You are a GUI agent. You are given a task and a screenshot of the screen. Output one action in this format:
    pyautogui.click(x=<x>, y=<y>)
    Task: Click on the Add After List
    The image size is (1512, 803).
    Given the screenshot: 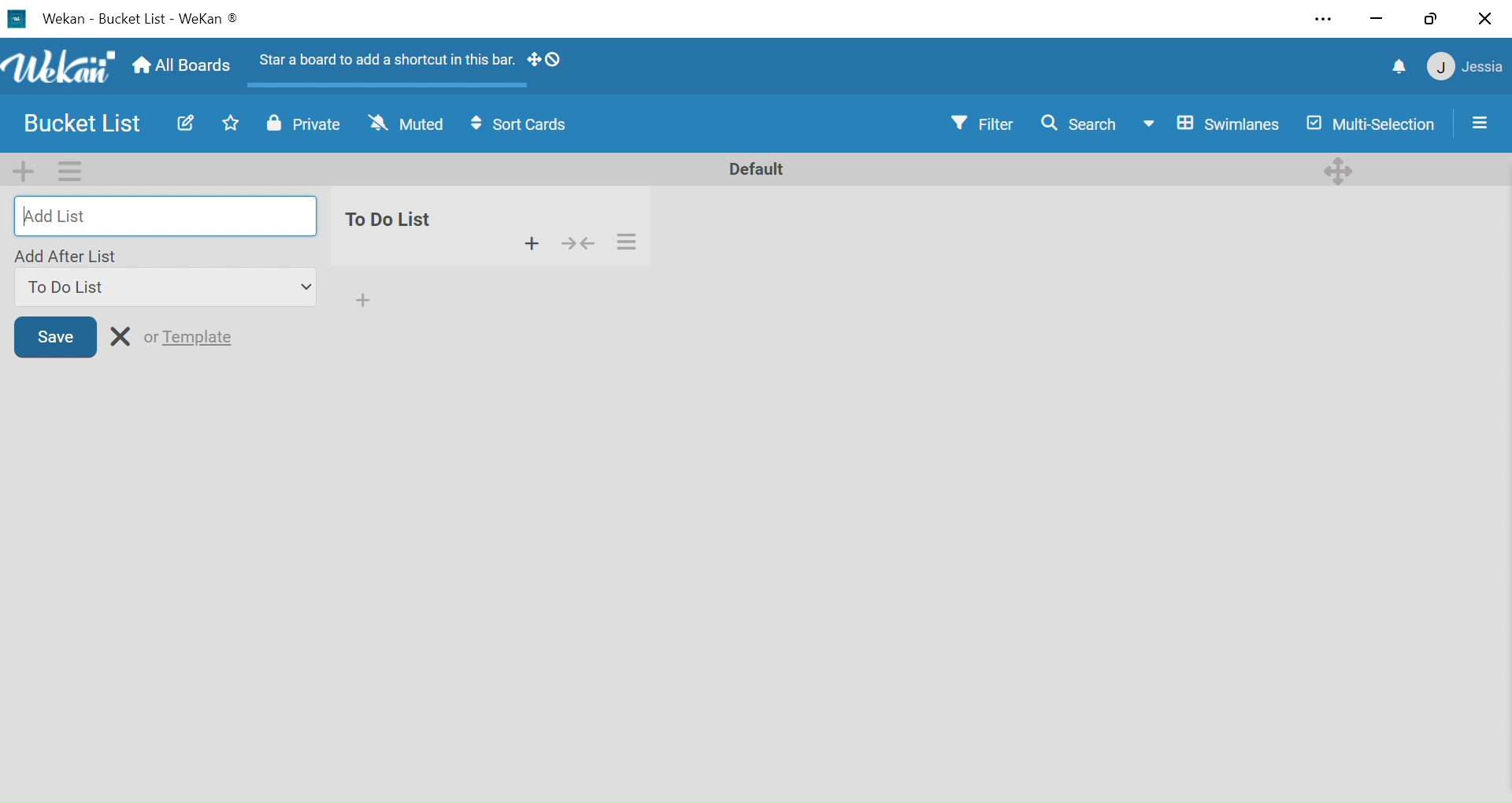 What is the action you would take?
    pyautogui.click(x=164, y=257)
    